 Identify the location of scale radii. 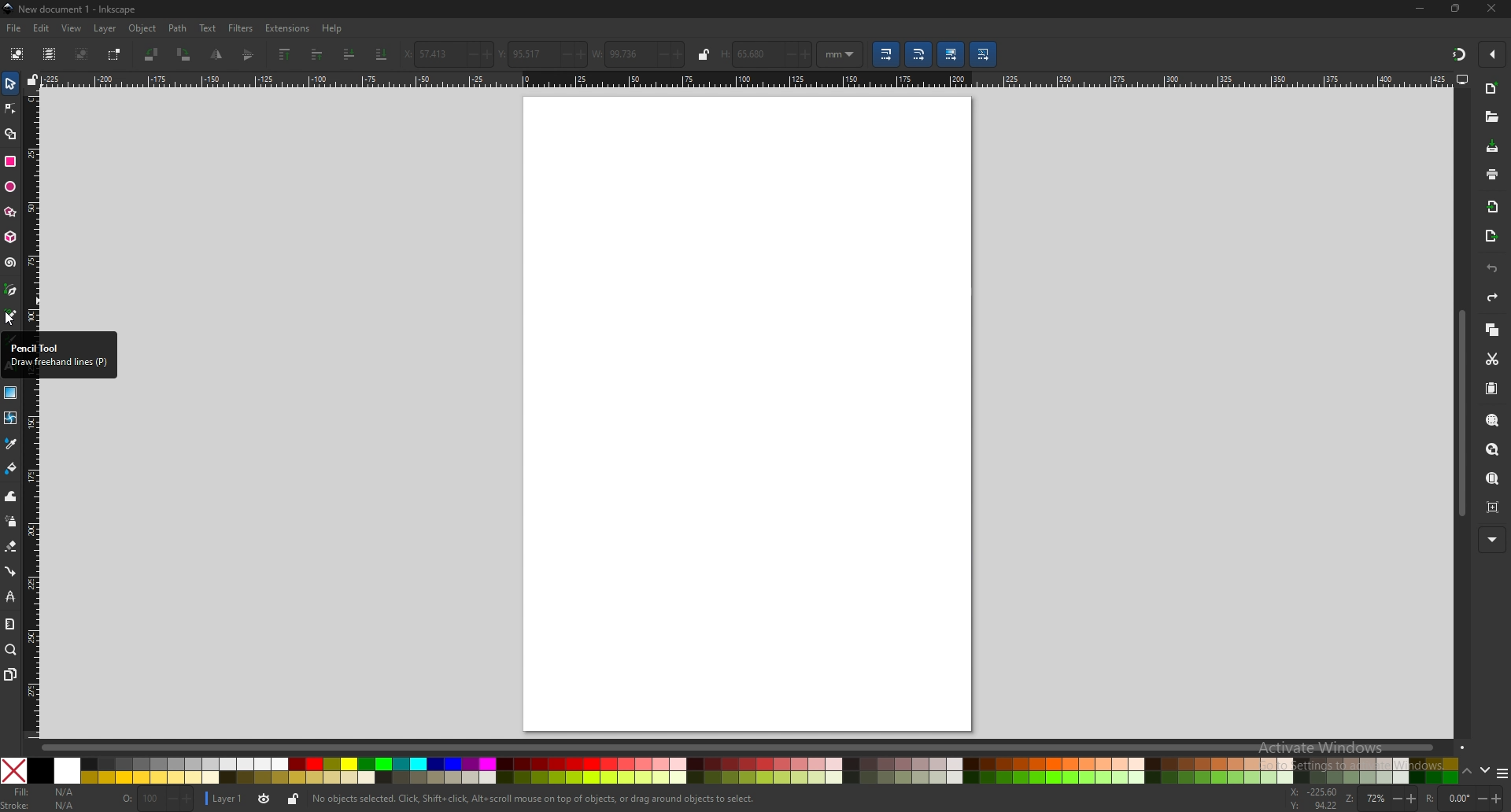
(918, 54).